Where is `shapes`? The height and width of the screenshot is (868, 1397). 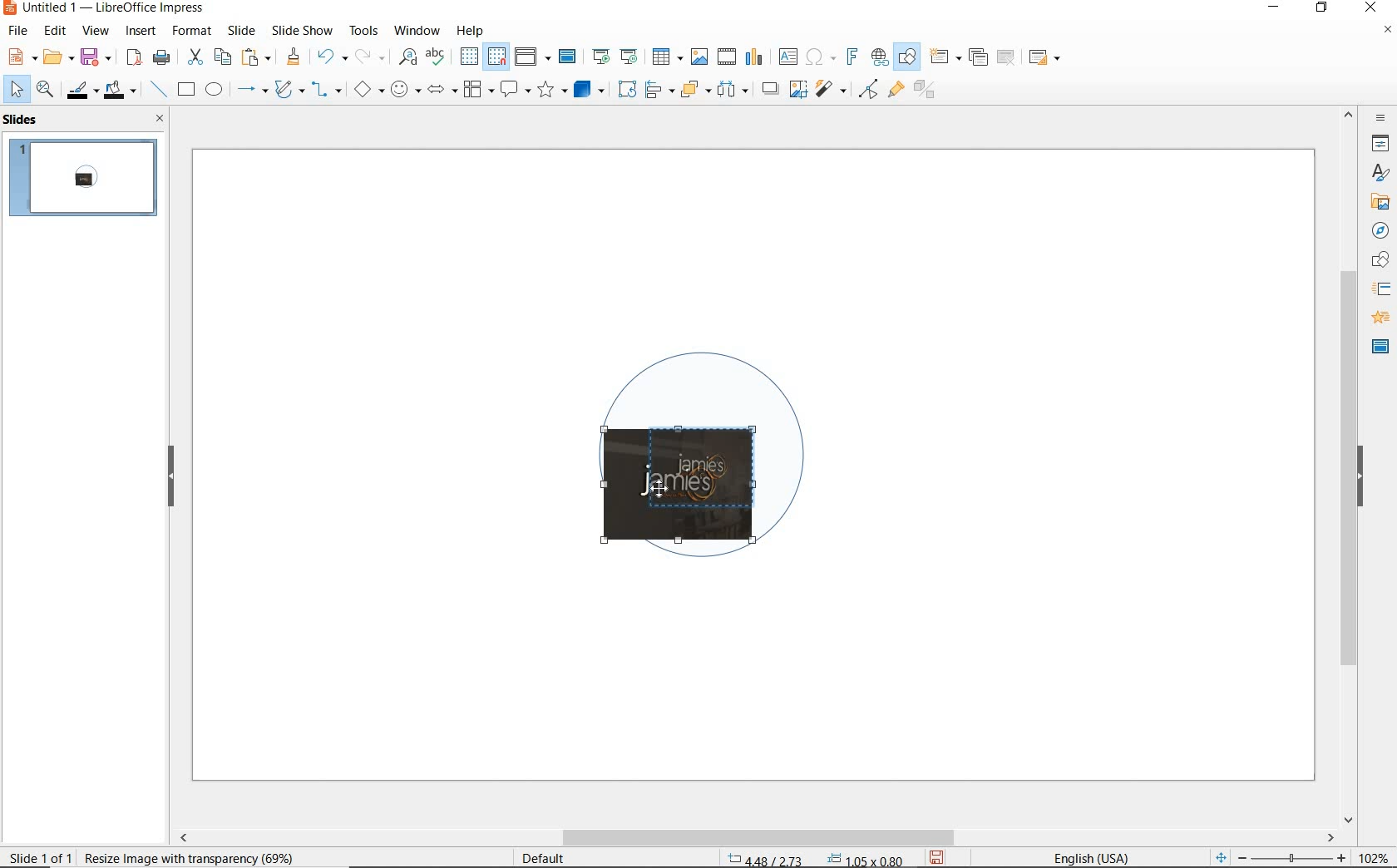
shapes is located at coordinates (1378, 260).